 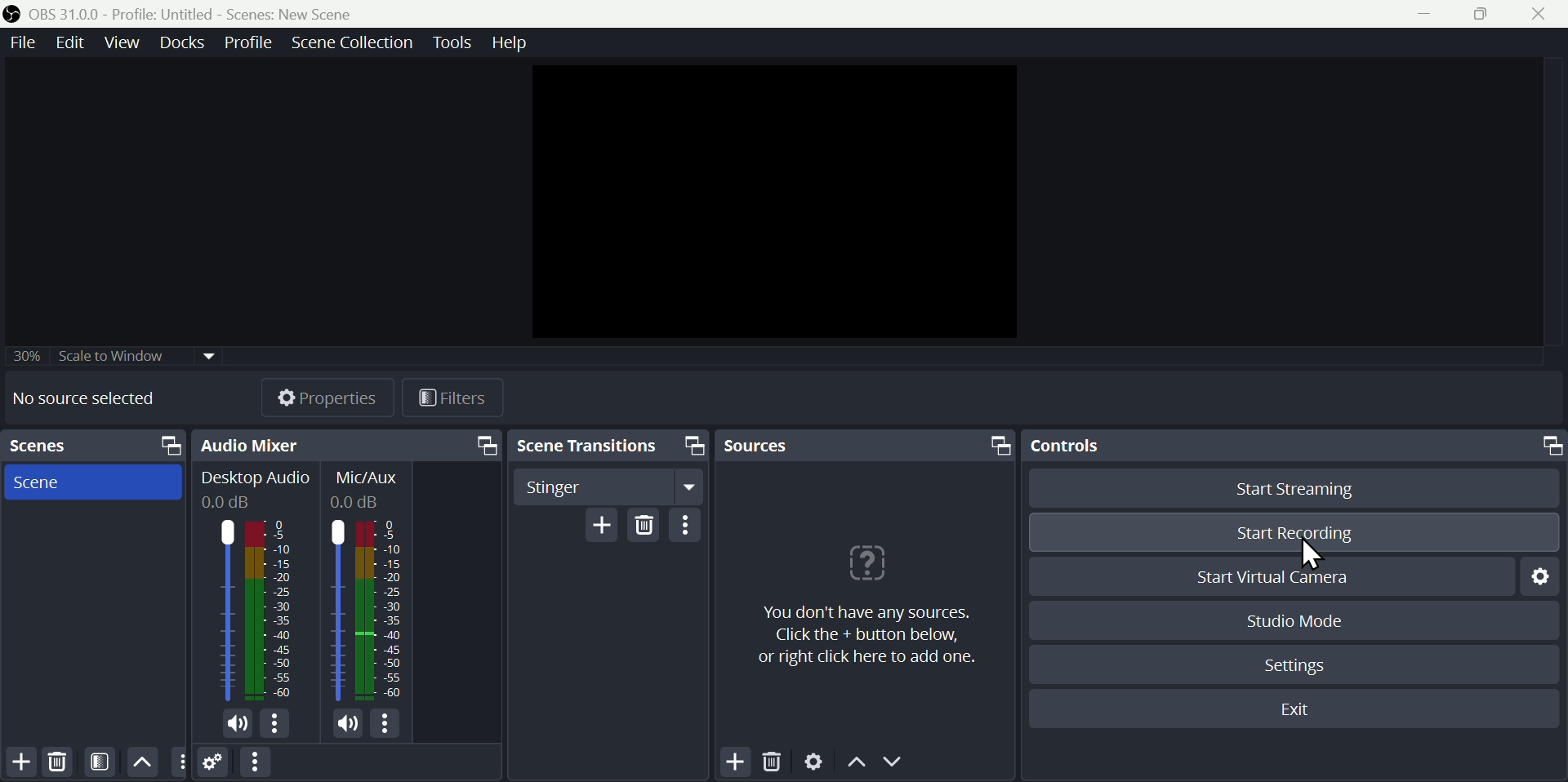 I want to click on speaker, so click(x=236, y=724).